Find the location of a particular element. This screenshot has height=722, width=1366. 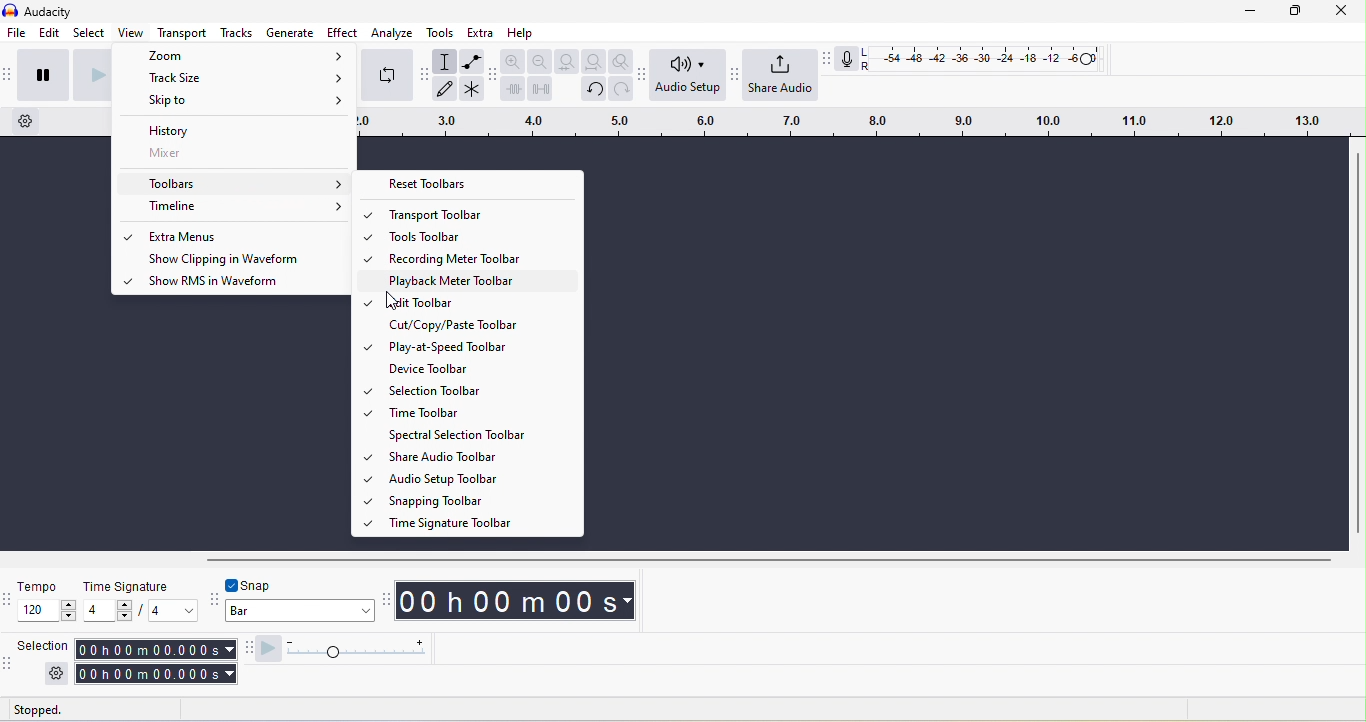

share audio is located at coordinates (781, 74).